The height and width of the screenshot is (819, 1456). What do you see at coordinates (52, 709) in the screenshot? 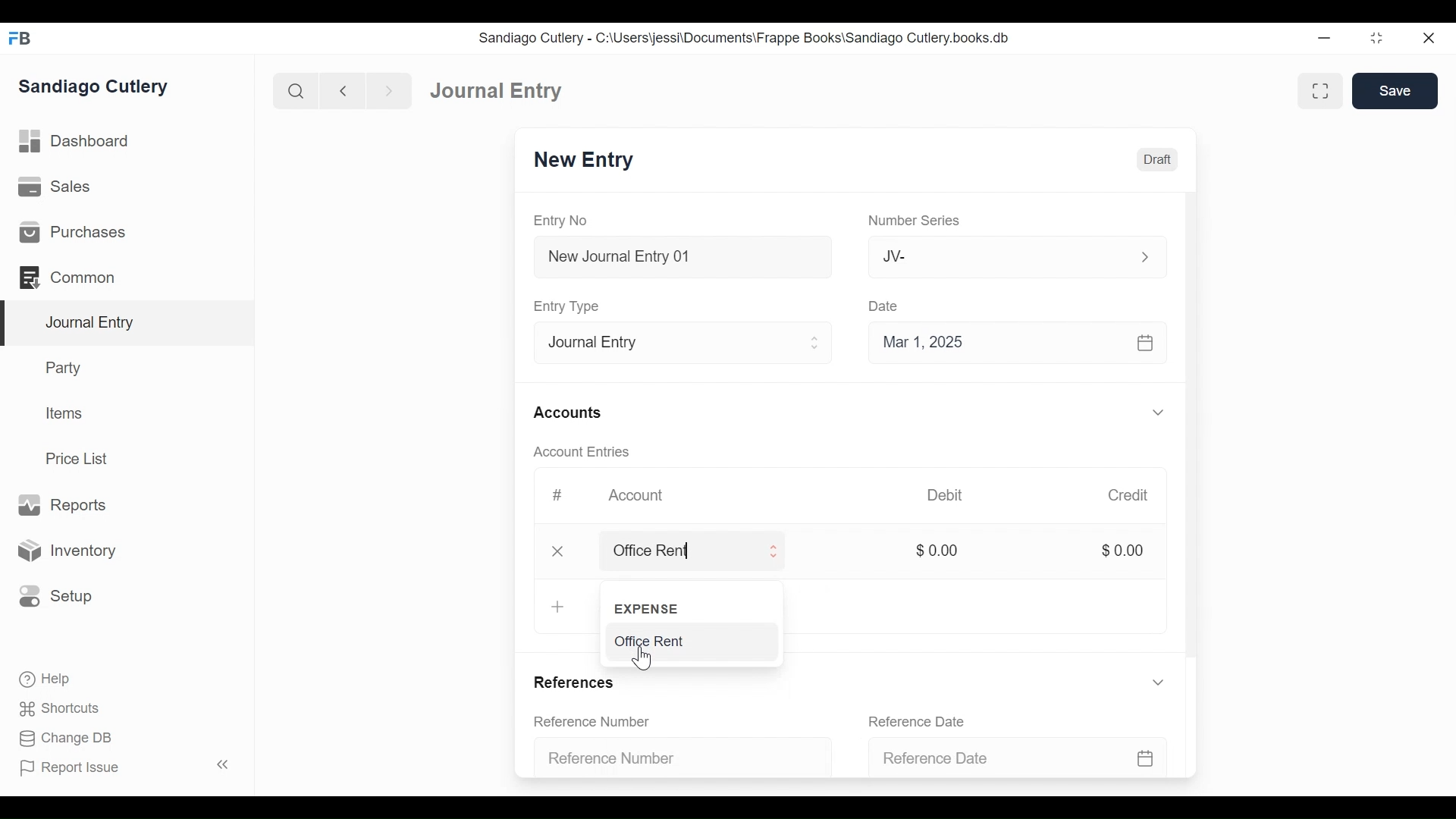
I see `Shortcuts` at bounding box center [52, 709].